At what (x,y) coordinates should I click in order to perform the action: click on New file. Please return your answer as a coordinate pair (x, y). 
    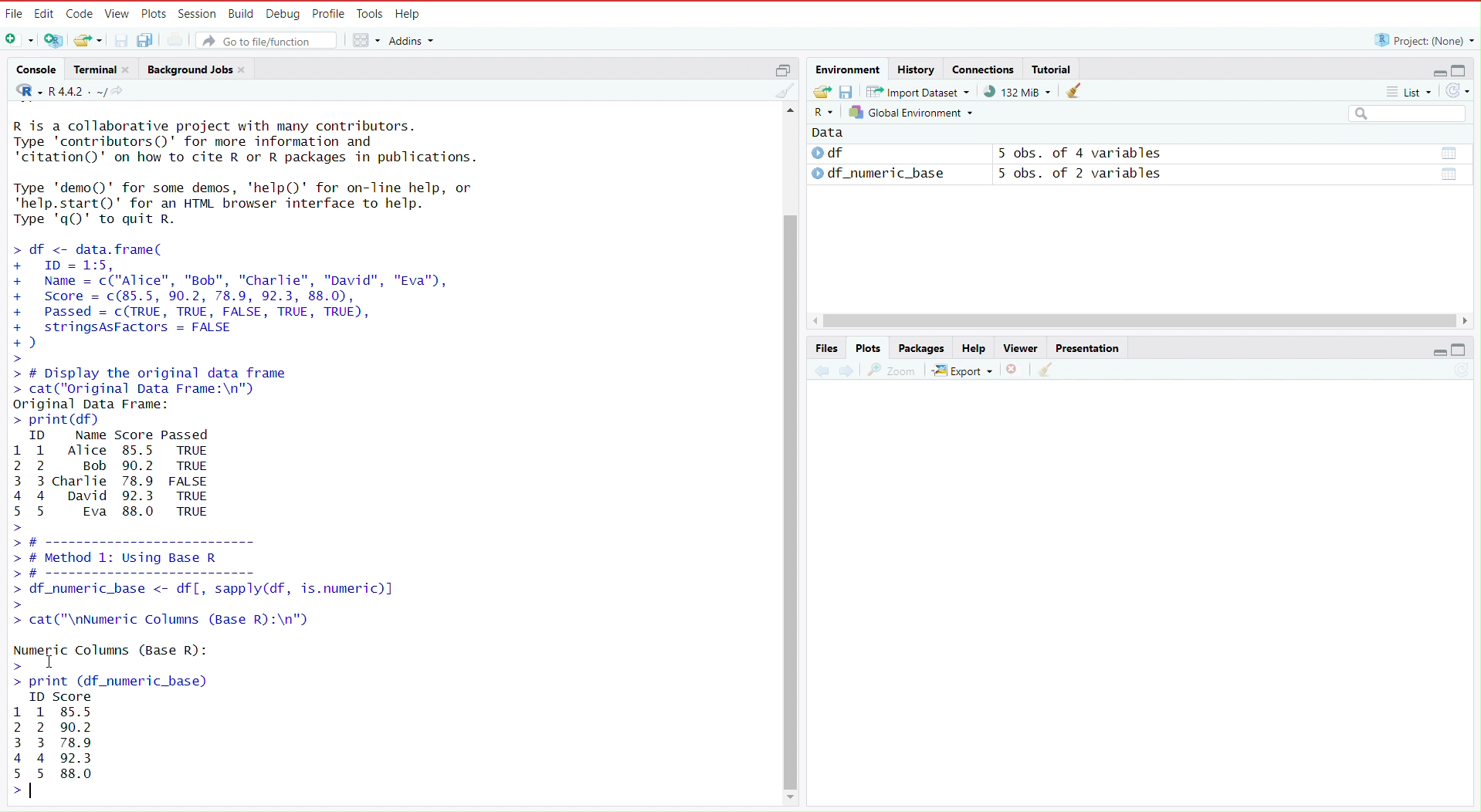
    Looking at the image, I should click on (19, 39).